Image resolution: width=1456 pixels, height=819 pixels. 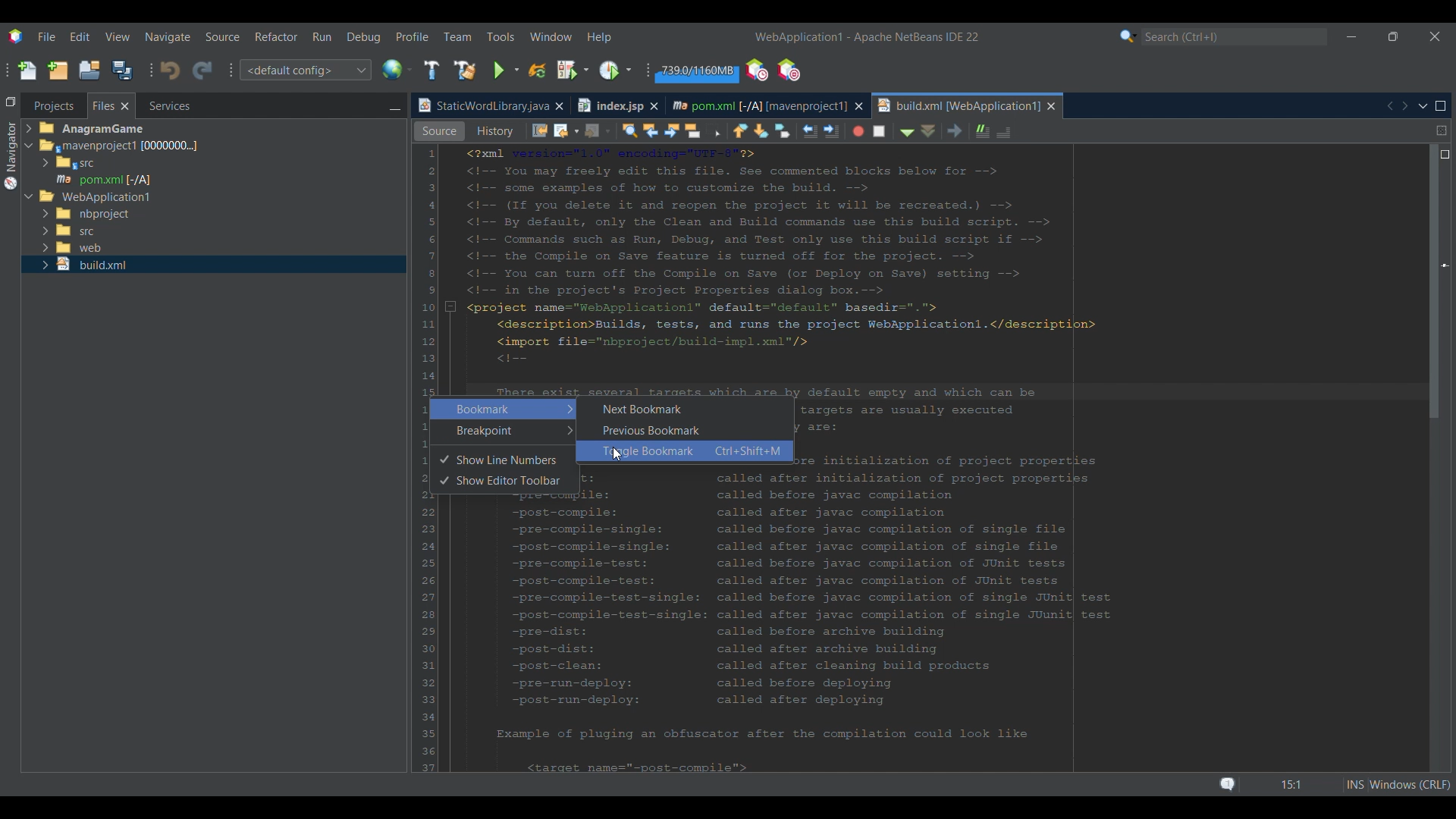 I want to click on Code in current tab, so click(x=934, y=457).